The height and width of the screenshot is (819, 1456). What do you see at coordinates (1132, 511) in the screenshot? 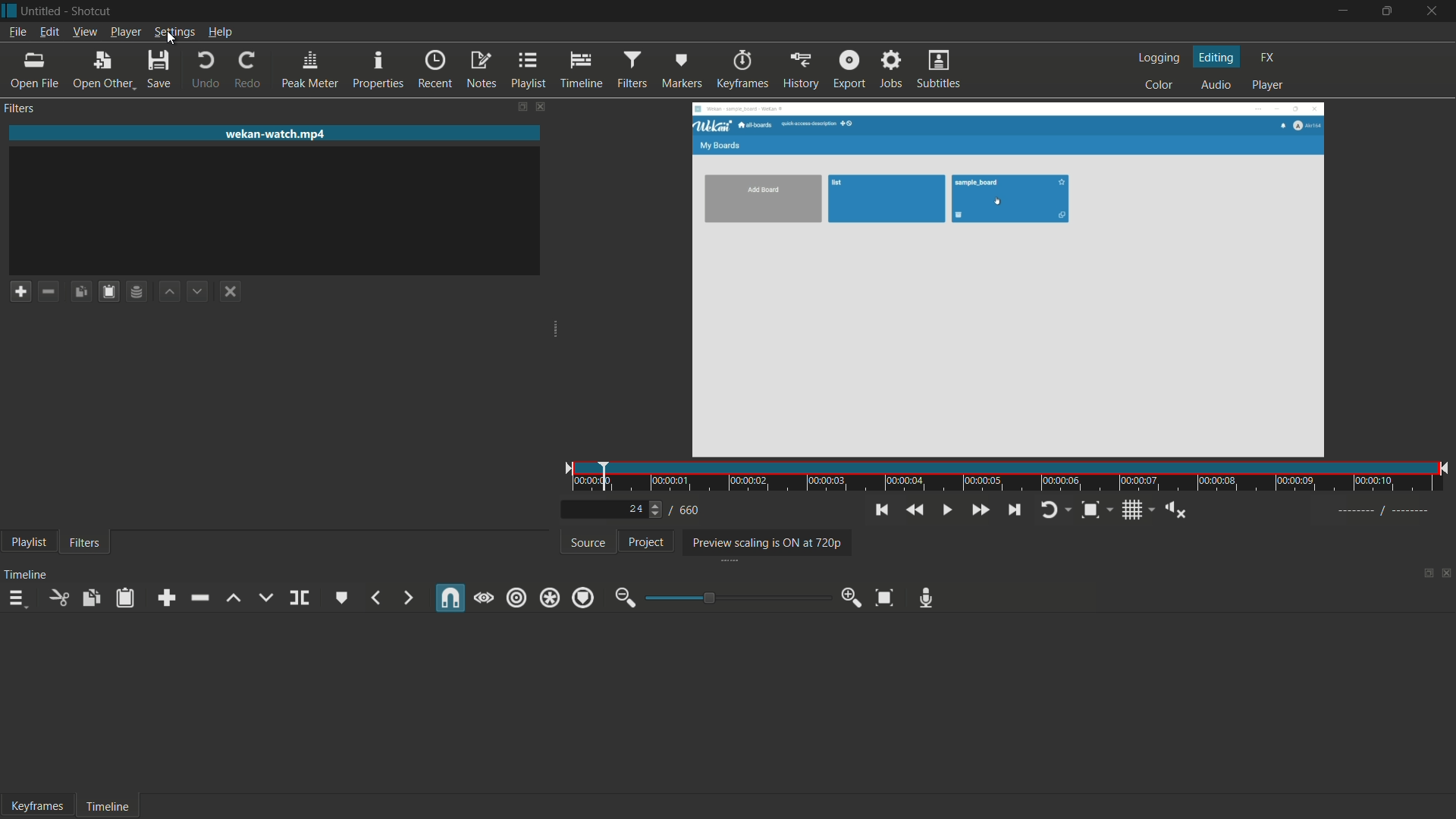
I see `toggle grid` at bounding box center [1132, 511].